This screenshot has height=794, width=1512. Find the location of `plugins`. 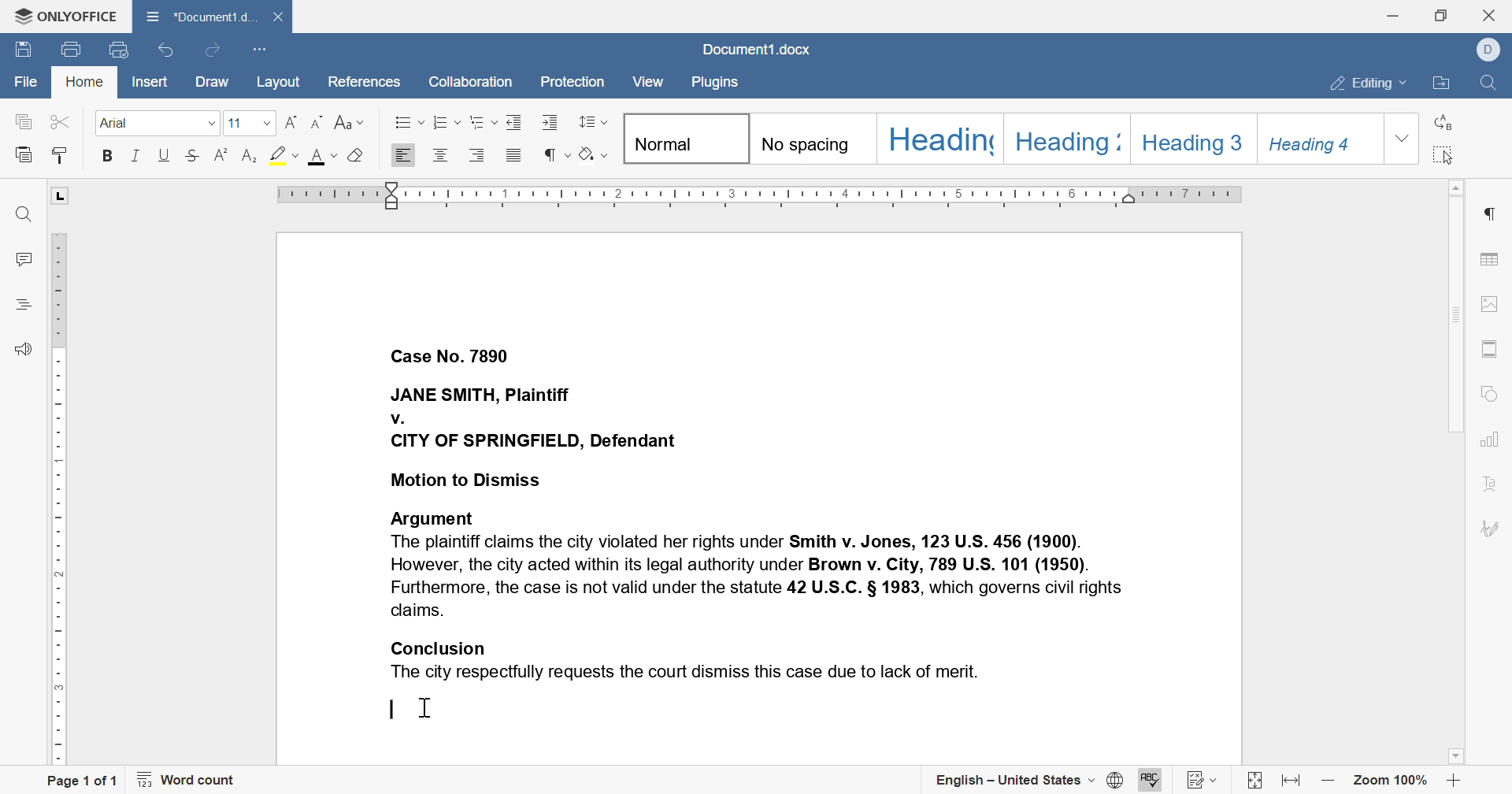

plugins is located at coordinates (717, 84).